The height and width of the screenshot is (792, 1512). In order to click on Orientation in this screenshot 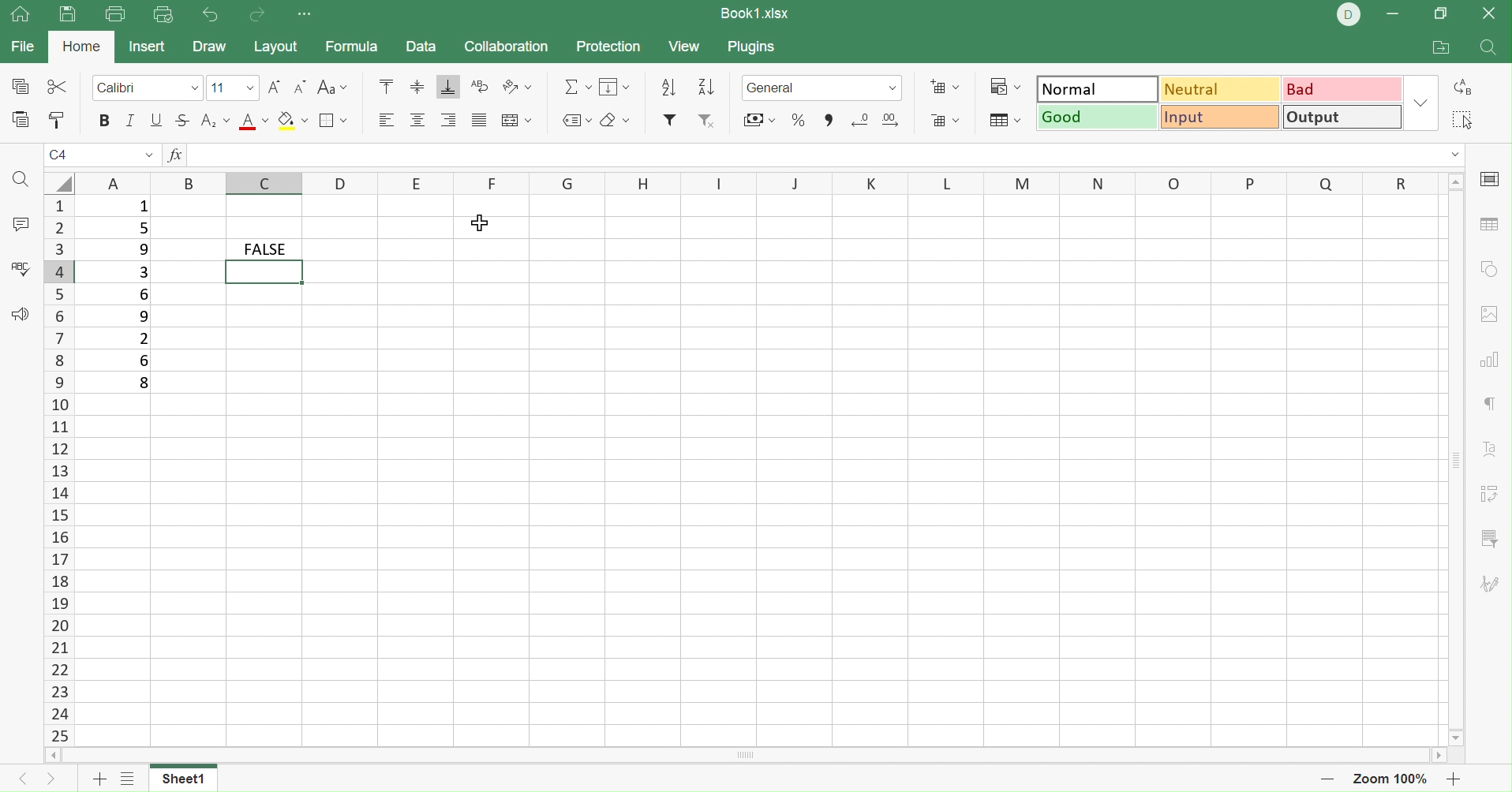, I will do `click(515, 88)`.